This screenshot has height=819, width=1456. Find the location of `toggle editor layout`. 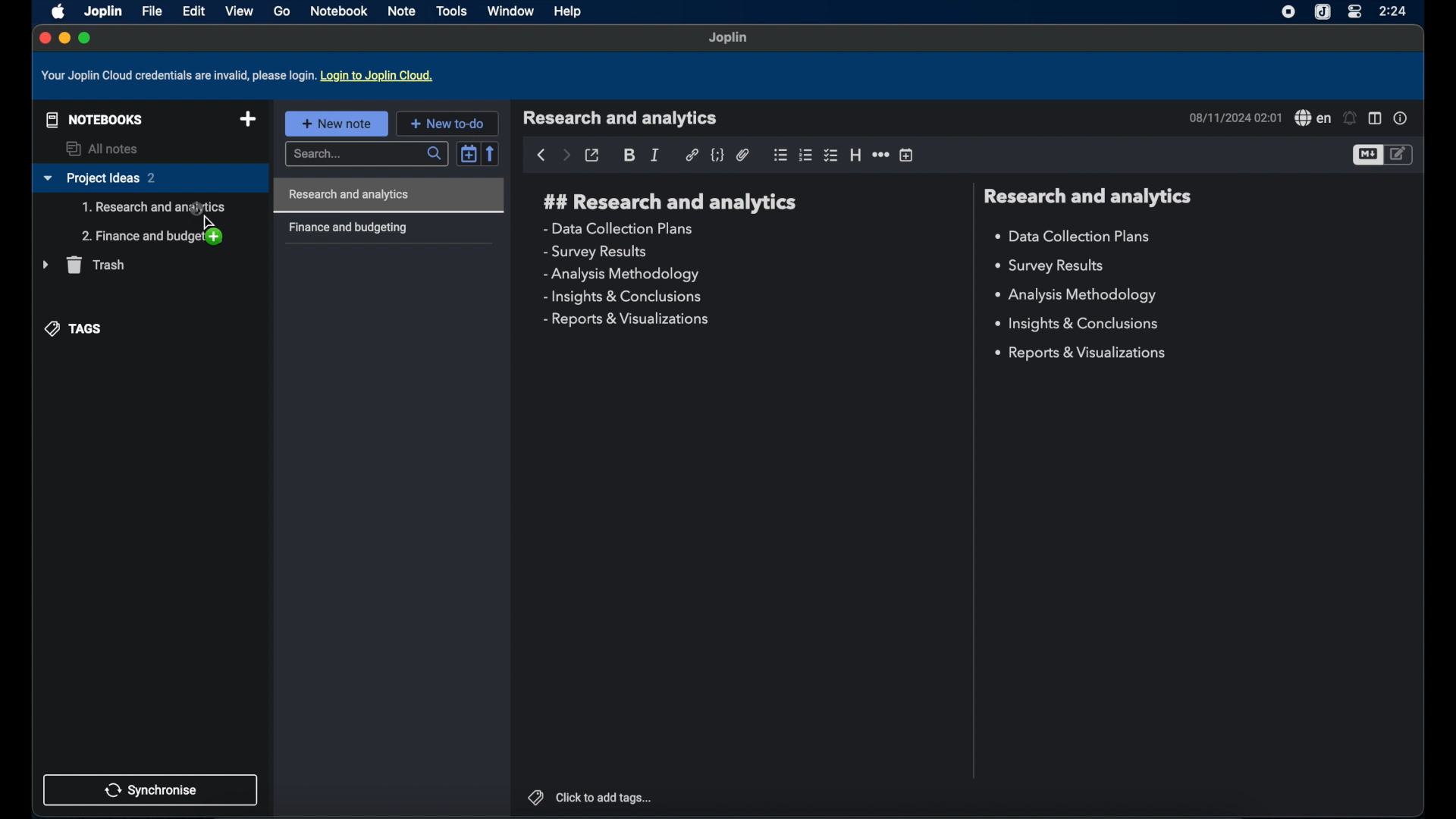

toggle editor layout is located at coordinates (1375, 119).